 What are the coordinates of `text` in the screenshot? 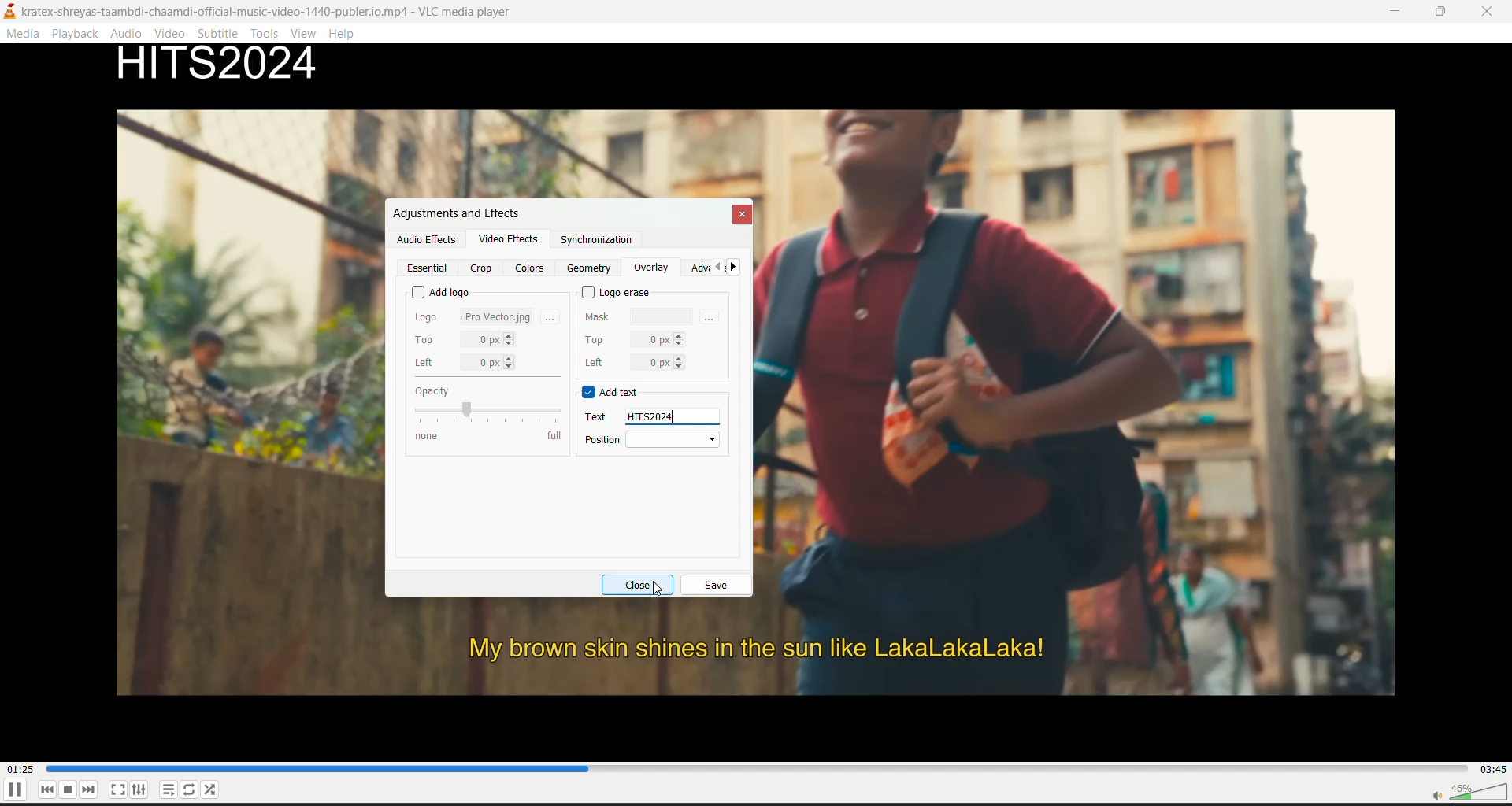 It's located at (643, 416).